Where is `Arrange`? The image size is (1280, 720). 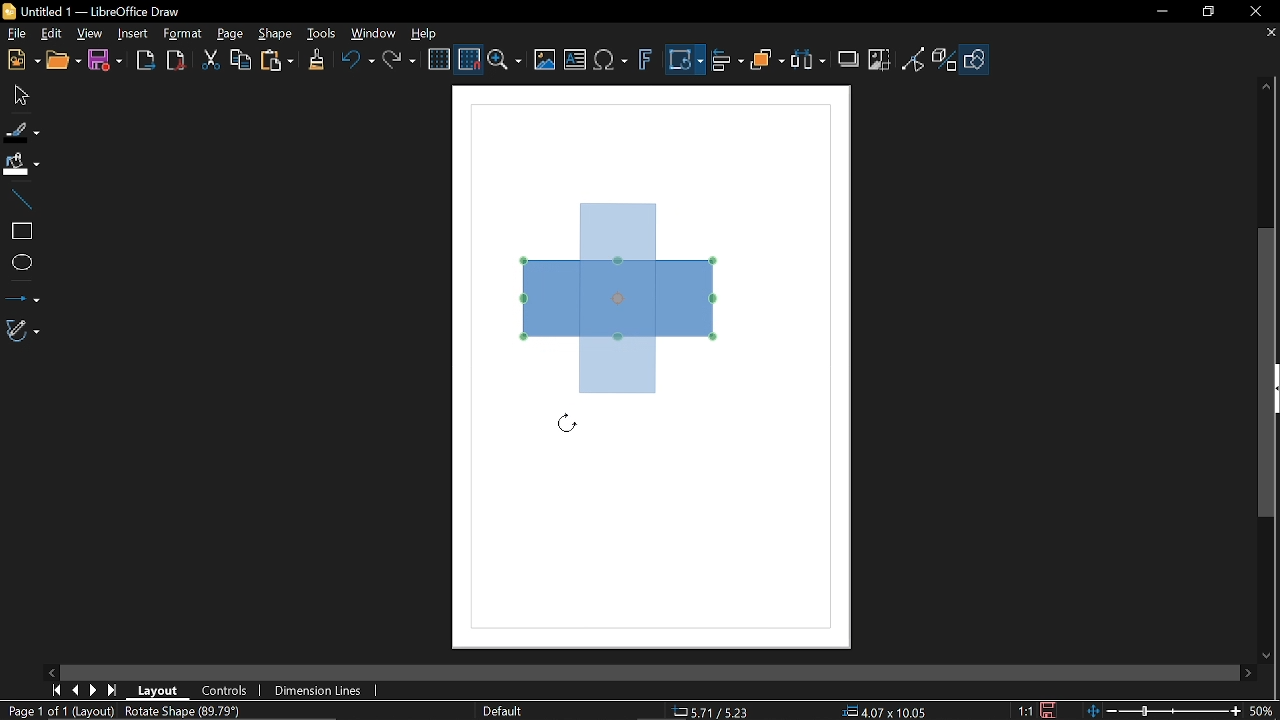 Arrange is located at coordinates (767, 62).